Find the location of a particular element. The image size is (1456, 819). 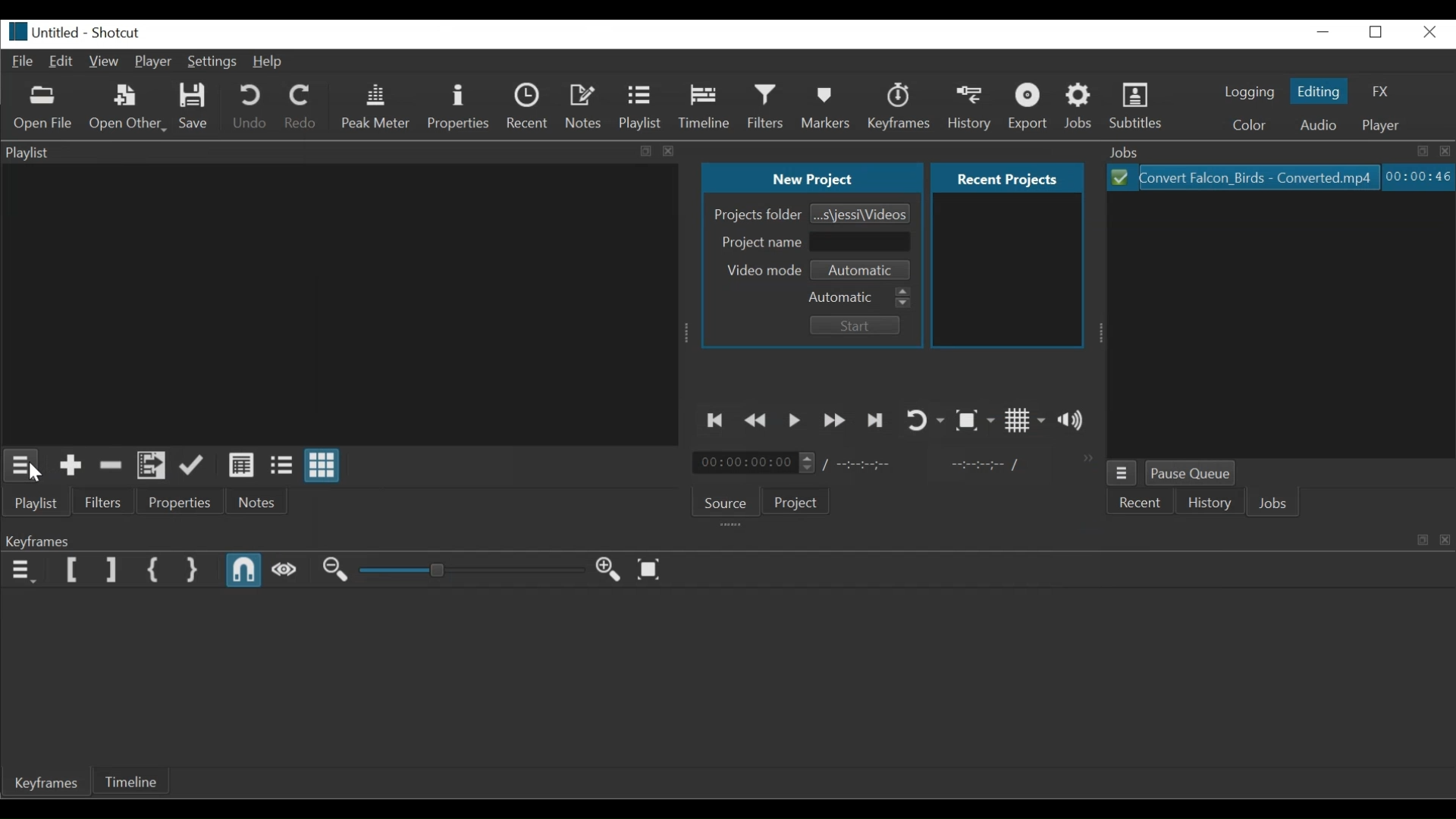

Properties is located at coordinates (181, 500).